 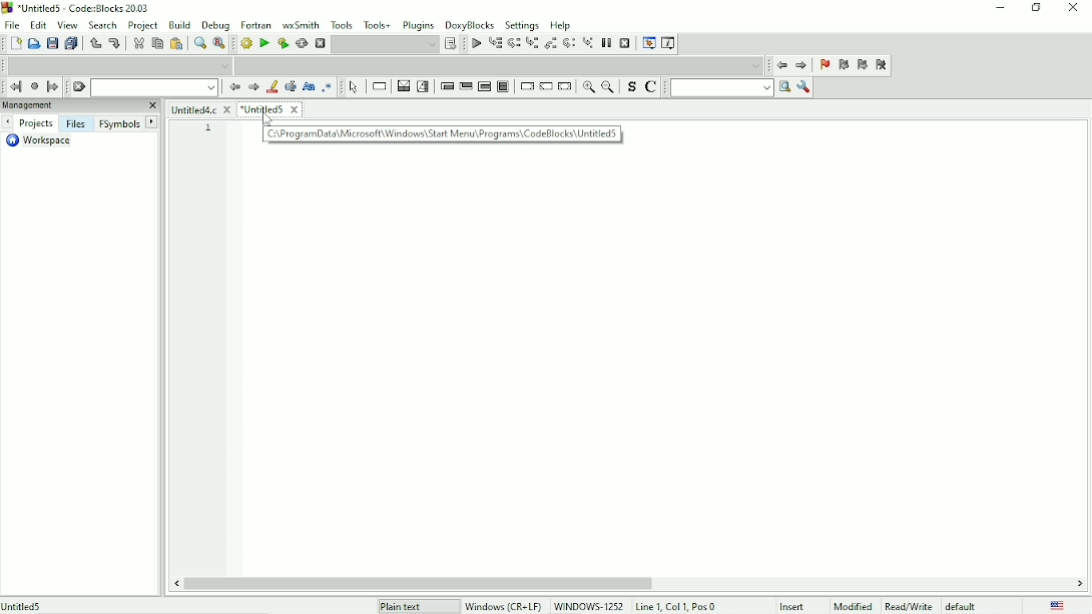 What do you see at coordinates (38, 26) in the screenshot?
I see `Edit` at bounding box center [38, 26].